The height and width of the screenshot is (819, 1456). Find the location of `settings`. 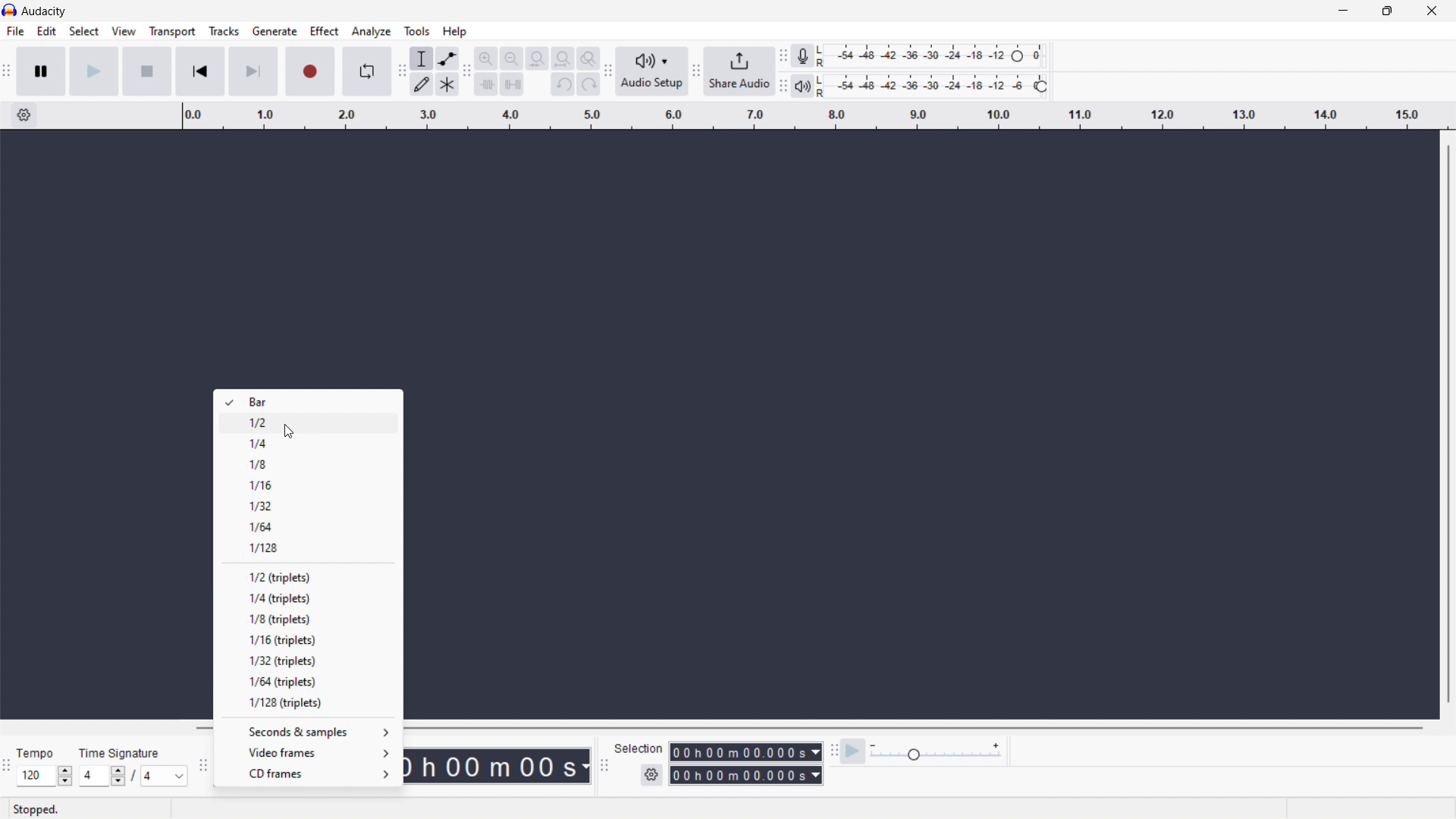

settings is located at coordinates (24, 115).